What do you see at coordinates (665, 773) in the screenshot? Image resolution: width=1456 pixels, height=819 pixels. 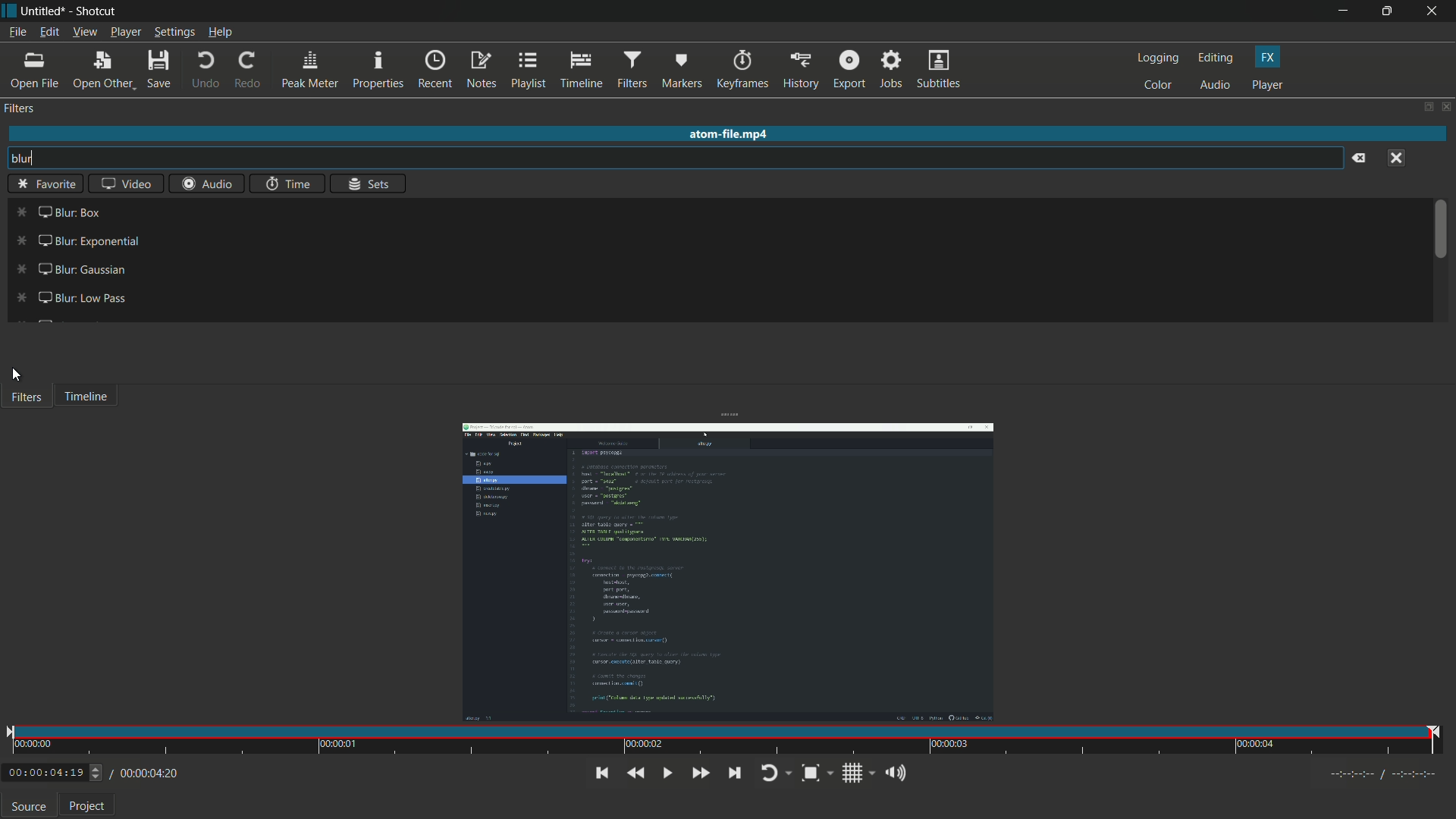 I see `toggle play` at bounding box center [665, 773].